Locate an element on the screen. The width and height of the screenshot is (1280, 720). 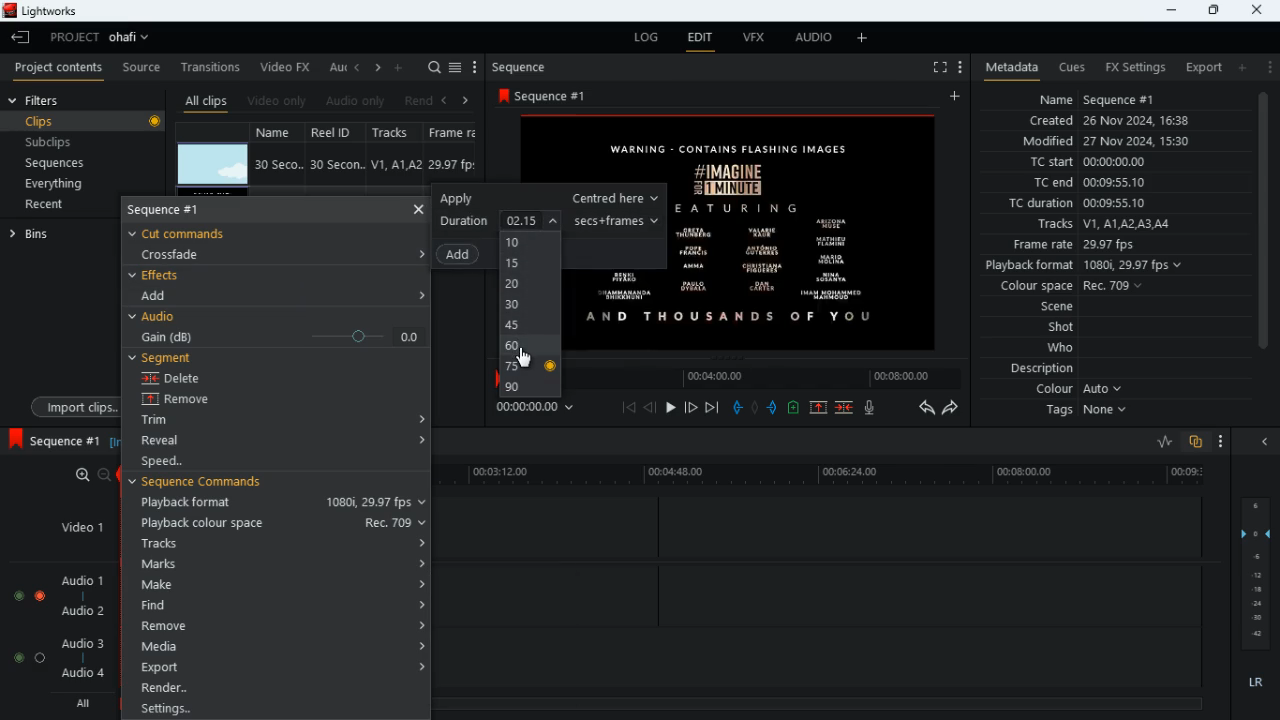
fps is located at coordinates (454, 133).